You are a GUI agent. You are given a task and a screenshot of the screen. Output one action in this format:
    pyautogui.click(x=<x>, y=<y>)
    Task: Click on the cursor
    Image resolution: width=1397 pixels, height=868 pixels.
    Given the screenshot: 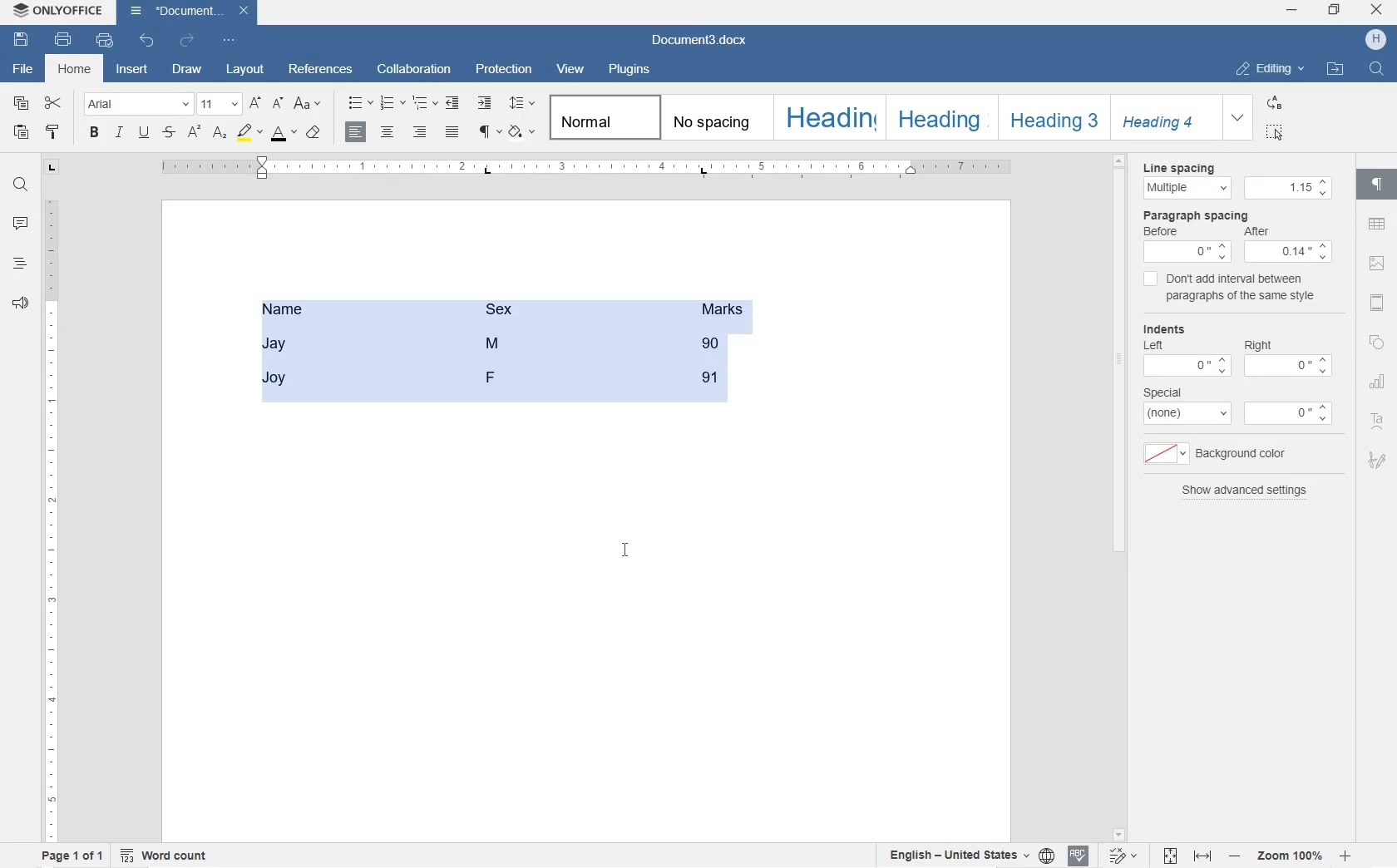 What is the action you would take?
    pyautogui.click(x=628, y=555)
    